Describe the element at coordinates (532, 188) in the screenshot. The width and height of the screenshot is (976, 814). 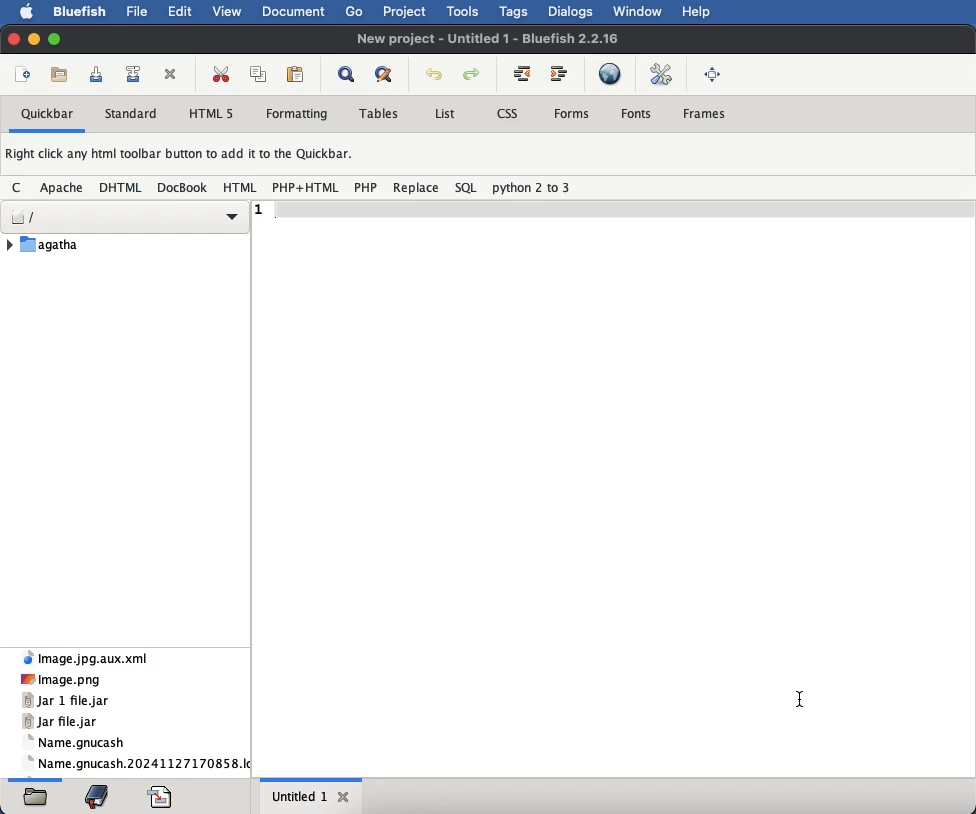
I see `python 2 to 3` at that location.